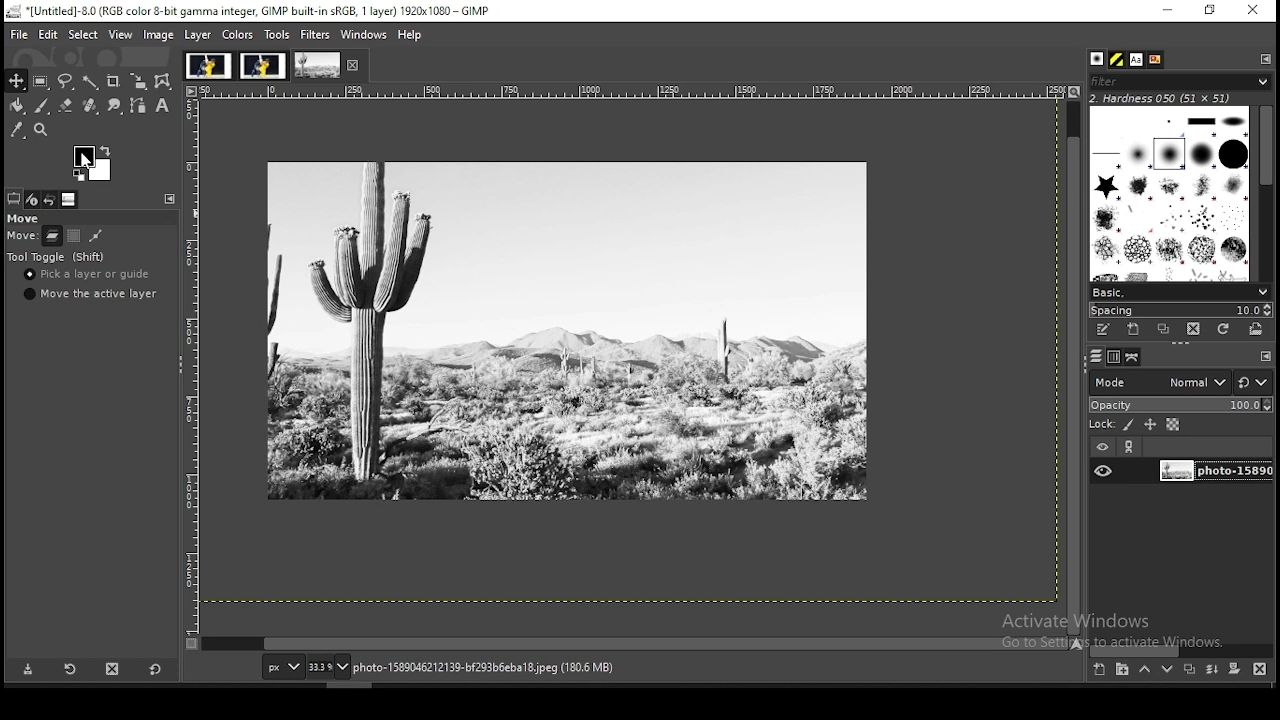 This screenshot has height=720, width=1280. I want to click on scale, so click(629, 91).